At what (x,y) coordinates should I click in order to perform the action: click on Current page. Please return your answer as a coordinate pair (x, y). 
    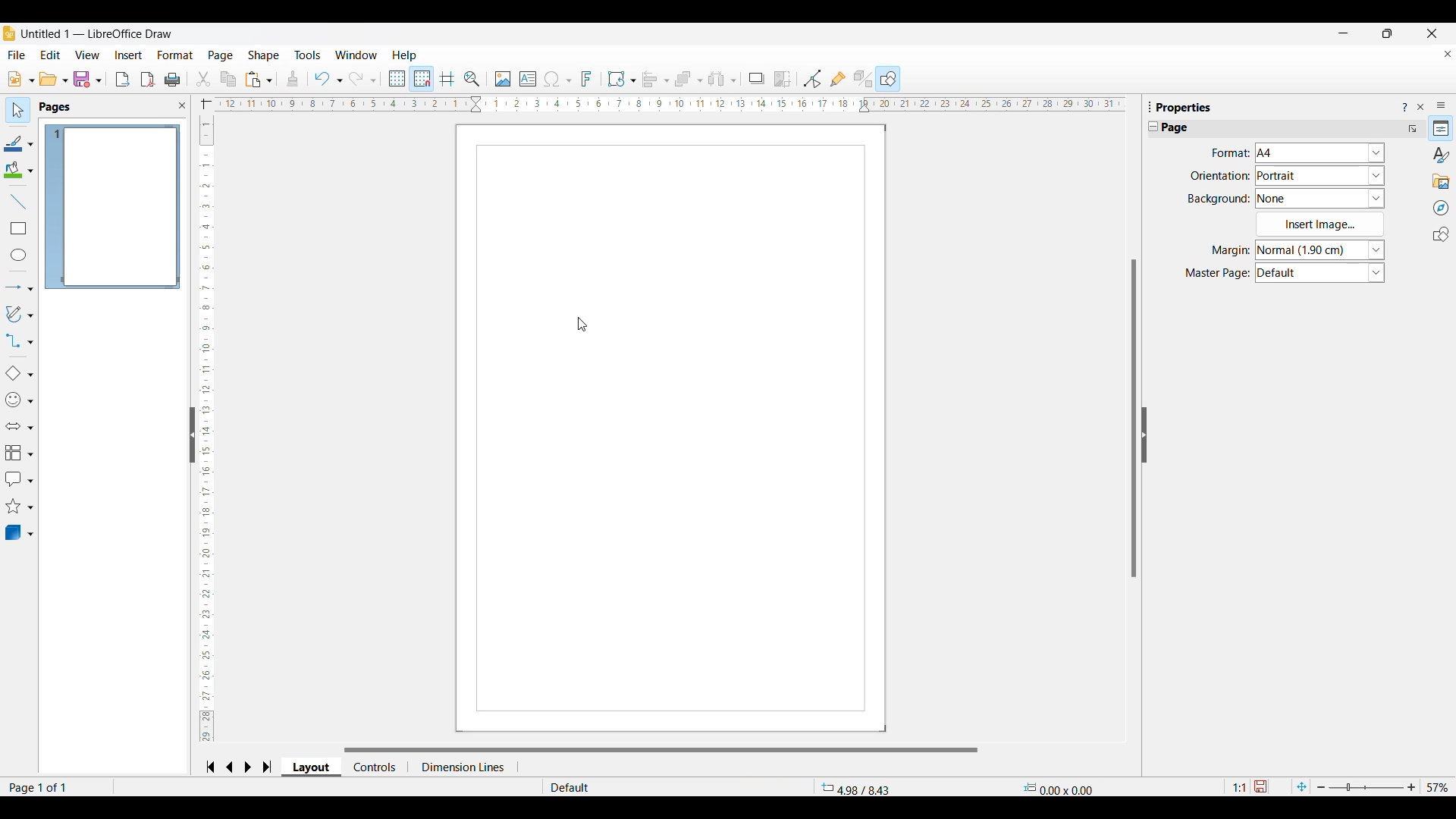
    Looking at the image, I should click on (675, 428).